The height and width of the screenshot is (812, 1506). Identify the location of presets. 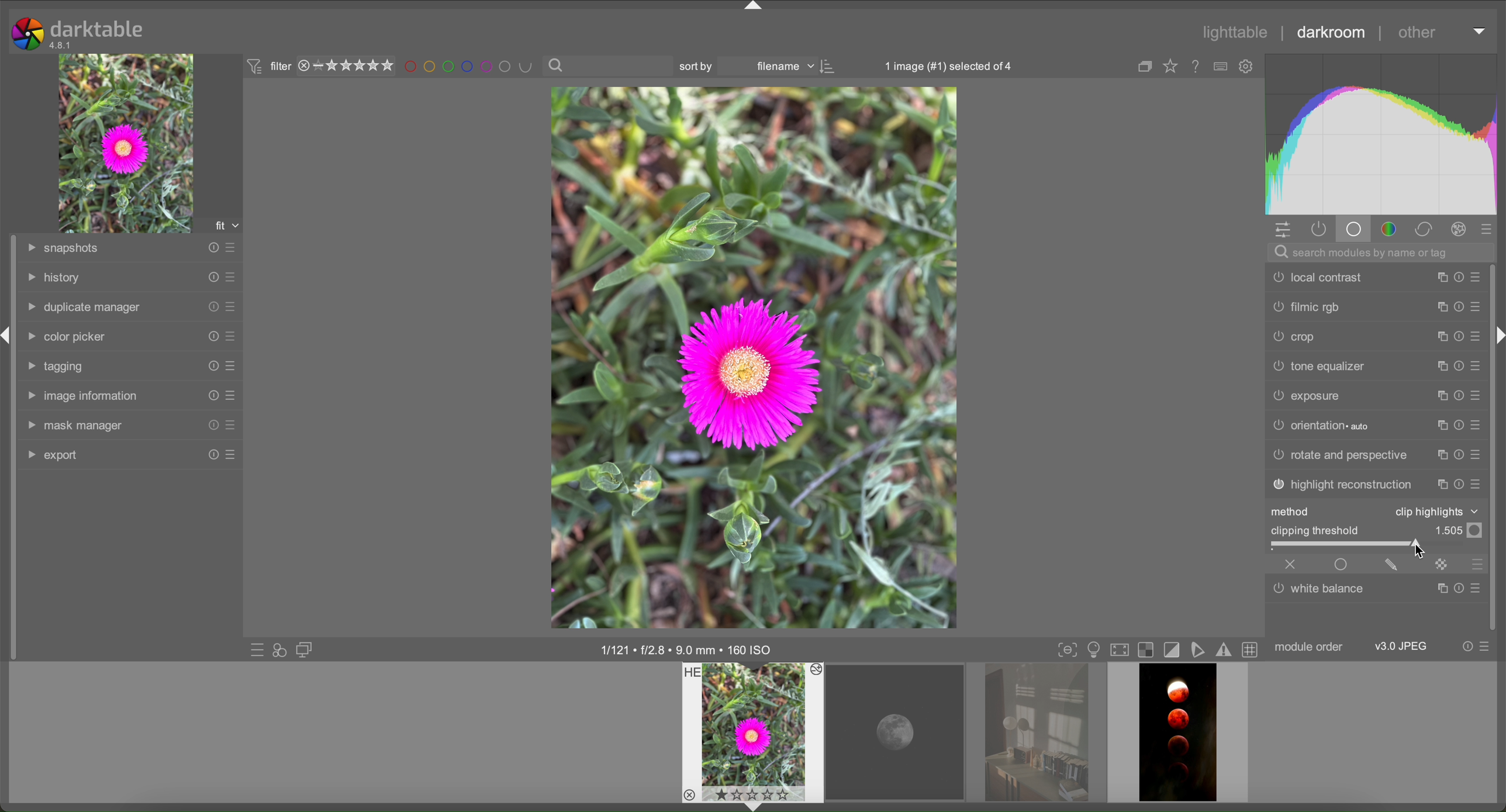
(1478, 564).